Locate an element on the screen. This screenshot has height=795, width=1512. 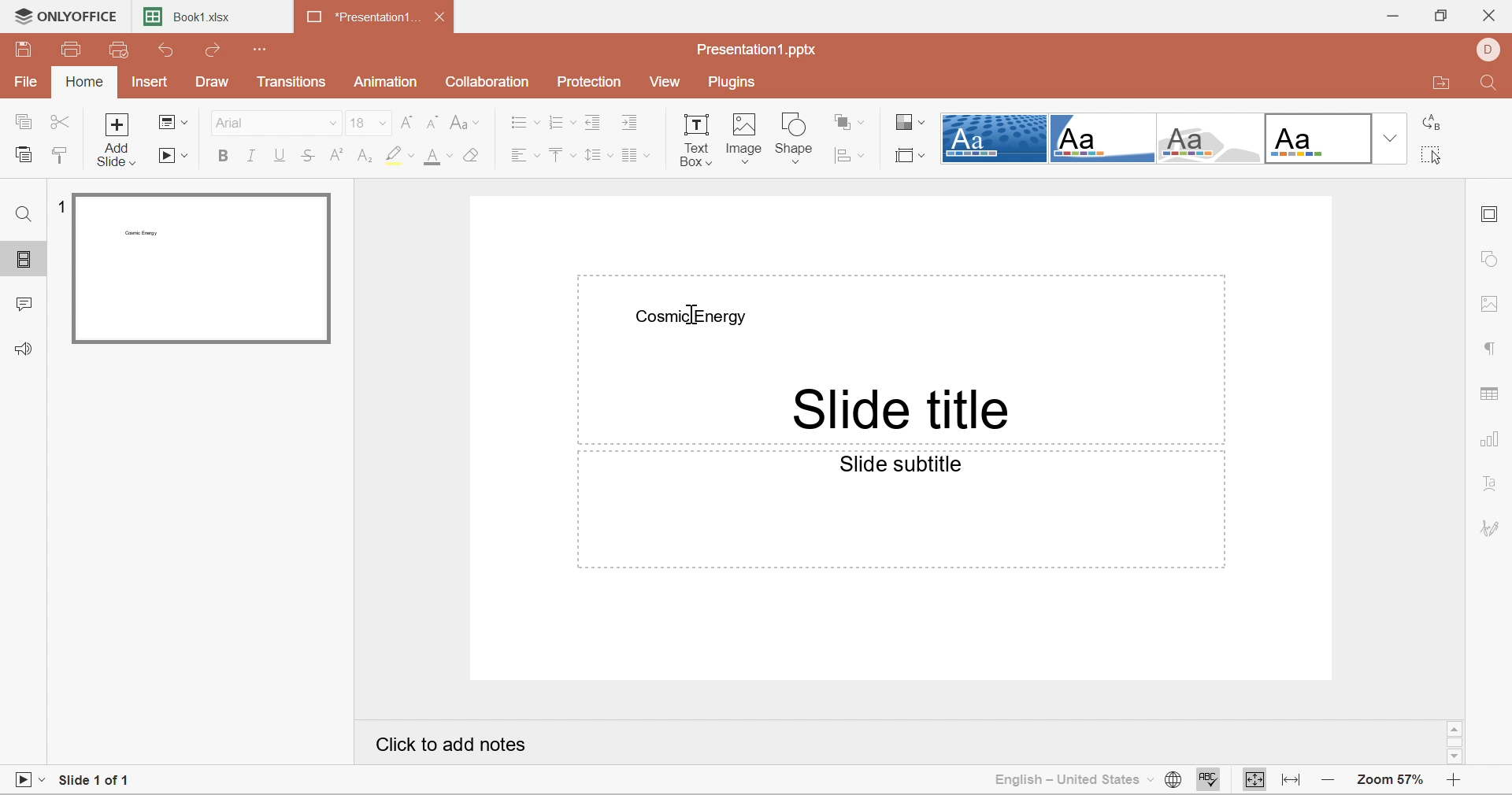
Redo is located at coordinates (219, 52).